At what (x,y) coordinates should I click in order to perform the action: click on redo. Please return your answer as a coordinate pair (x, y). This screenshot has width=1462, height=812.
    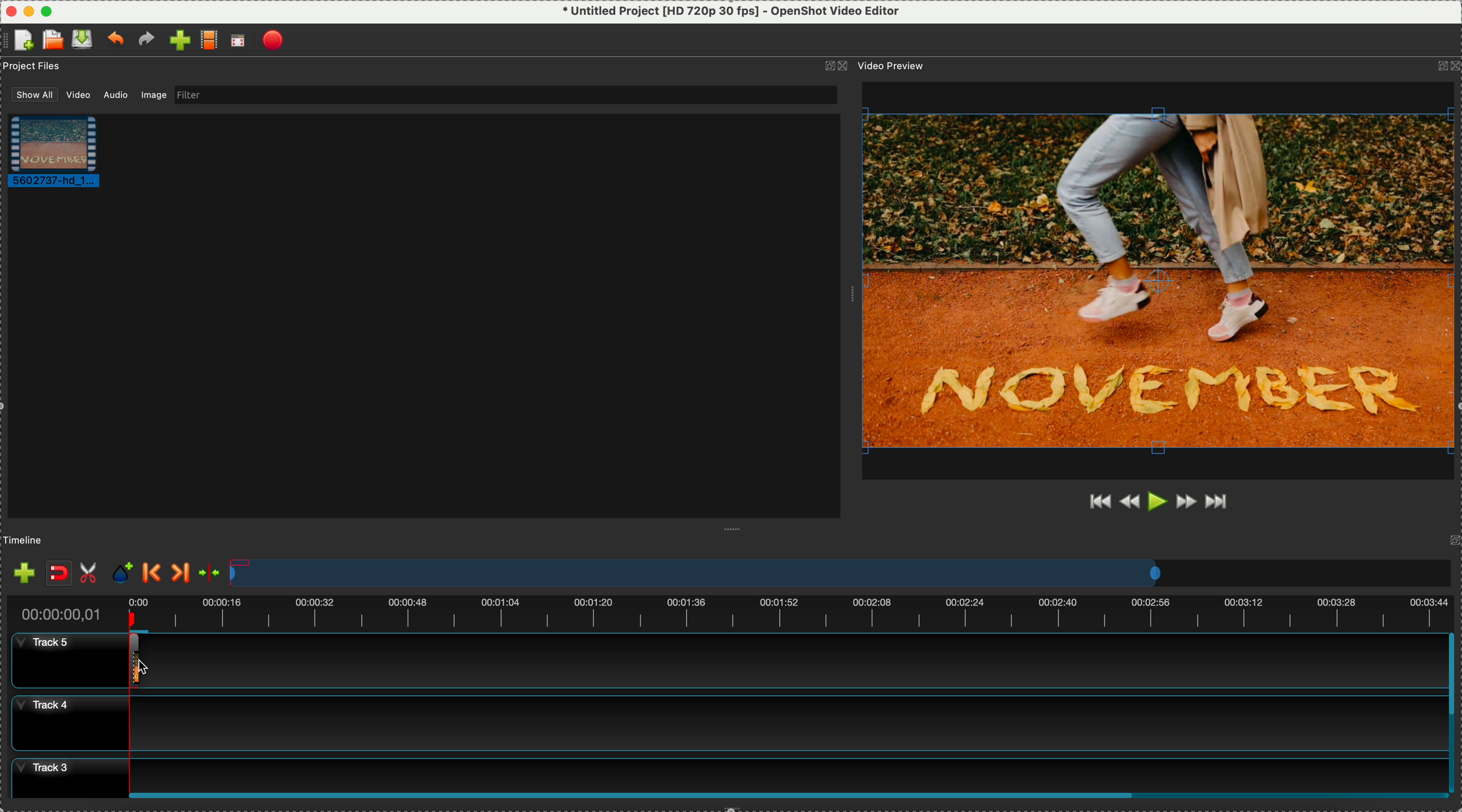
    Looking at the image, I should click on (146, 40).